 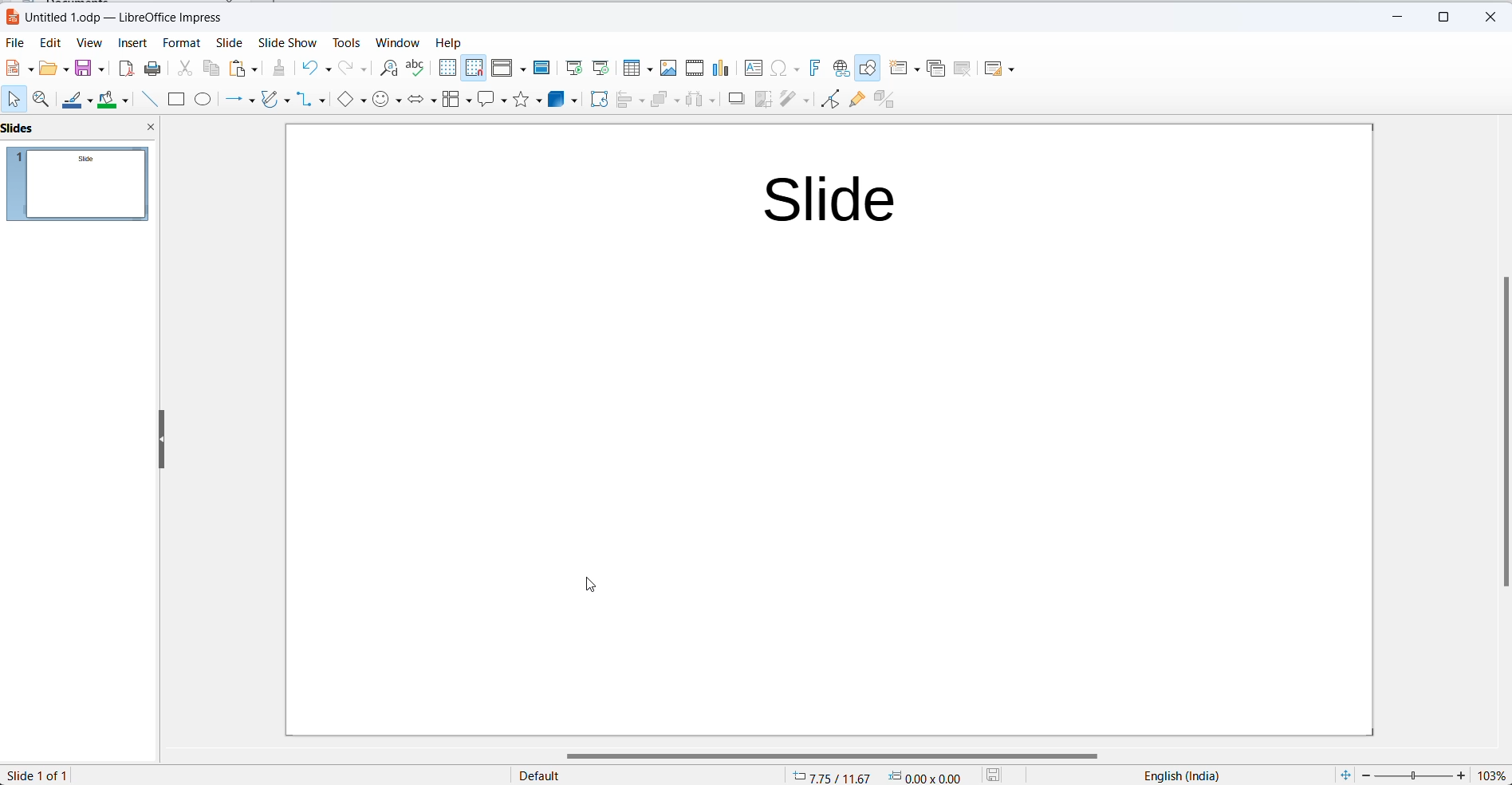 I want to click on slide, so click(x=226, y=42).